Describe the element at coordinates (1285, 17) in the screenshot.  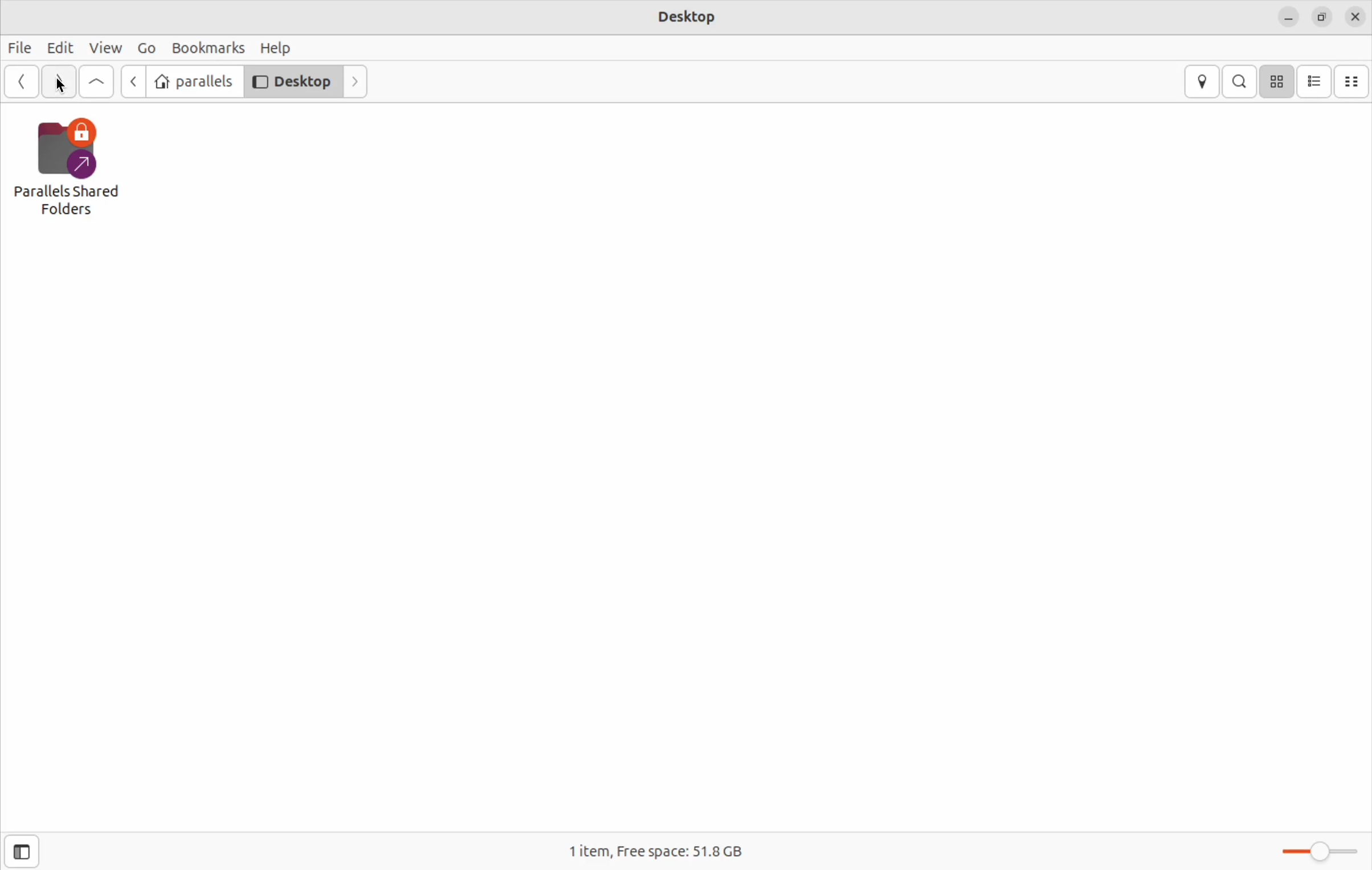
I see `minimize` at that location.